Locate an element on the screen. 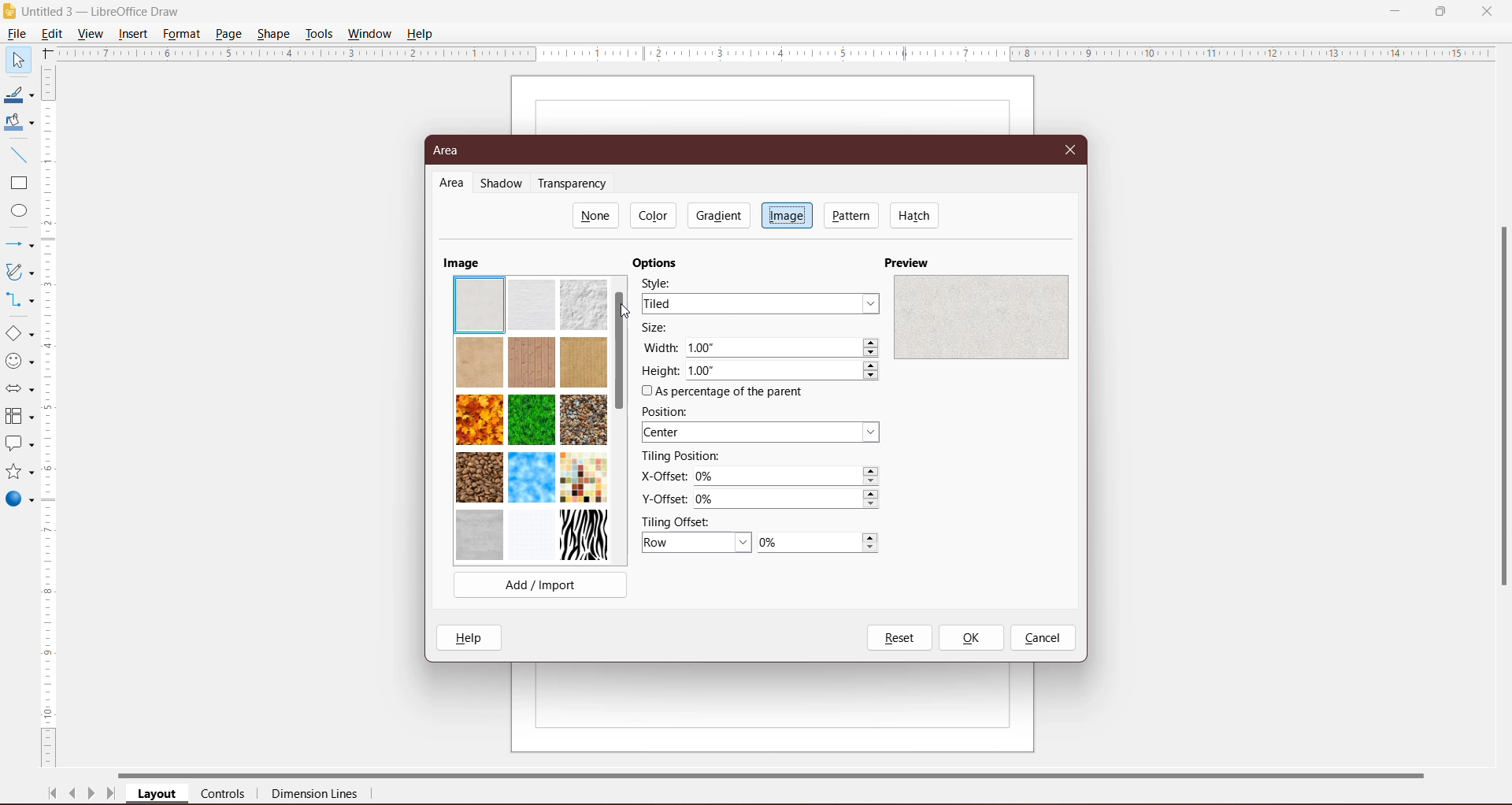 The image size is (1512, 805). Set required height is located at coordinates (784, 372).